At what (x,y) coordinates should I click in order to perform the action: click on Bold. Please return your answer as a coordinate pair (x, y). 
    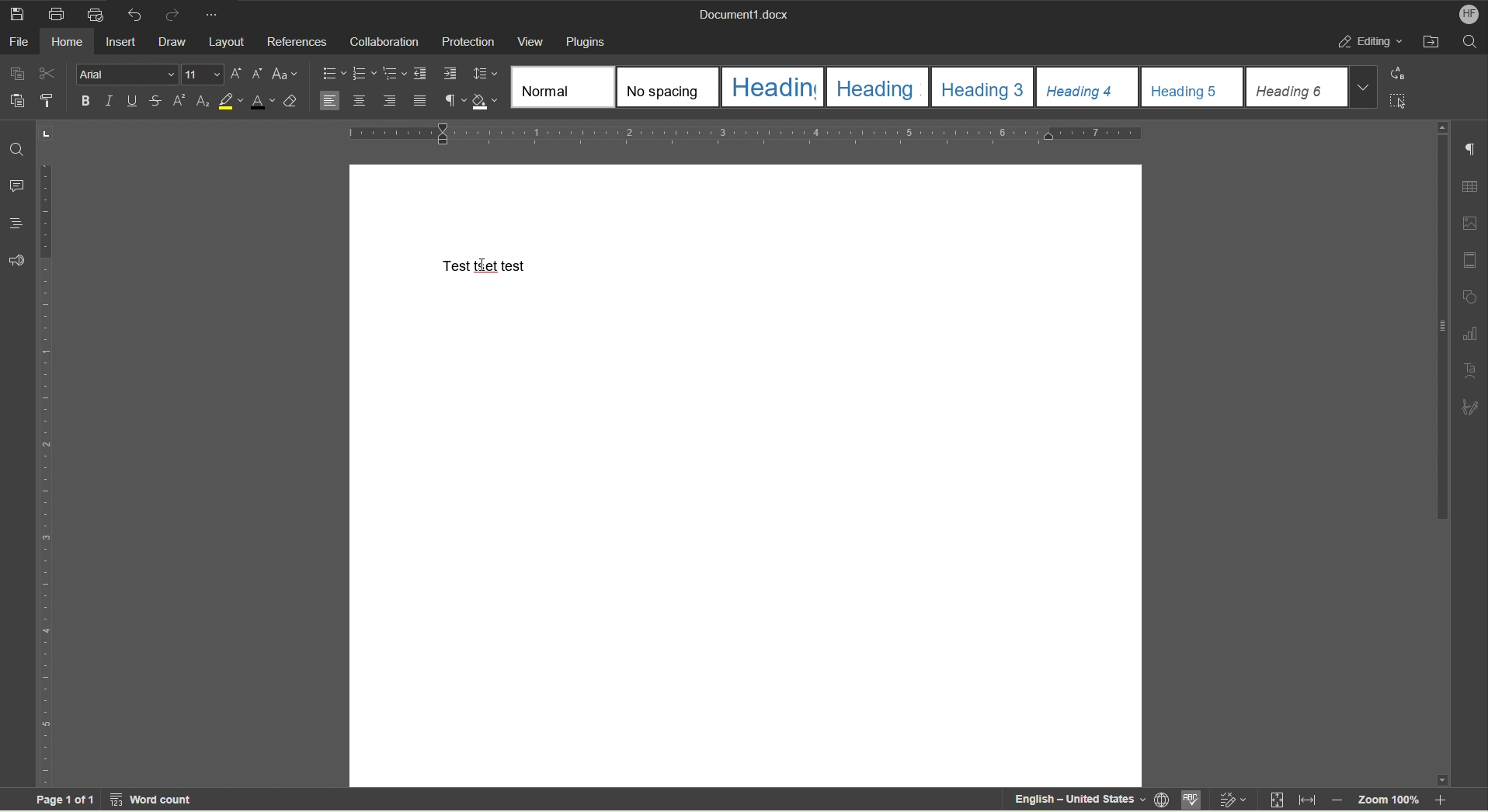
    Looking at the image, I should click on (85, 100).